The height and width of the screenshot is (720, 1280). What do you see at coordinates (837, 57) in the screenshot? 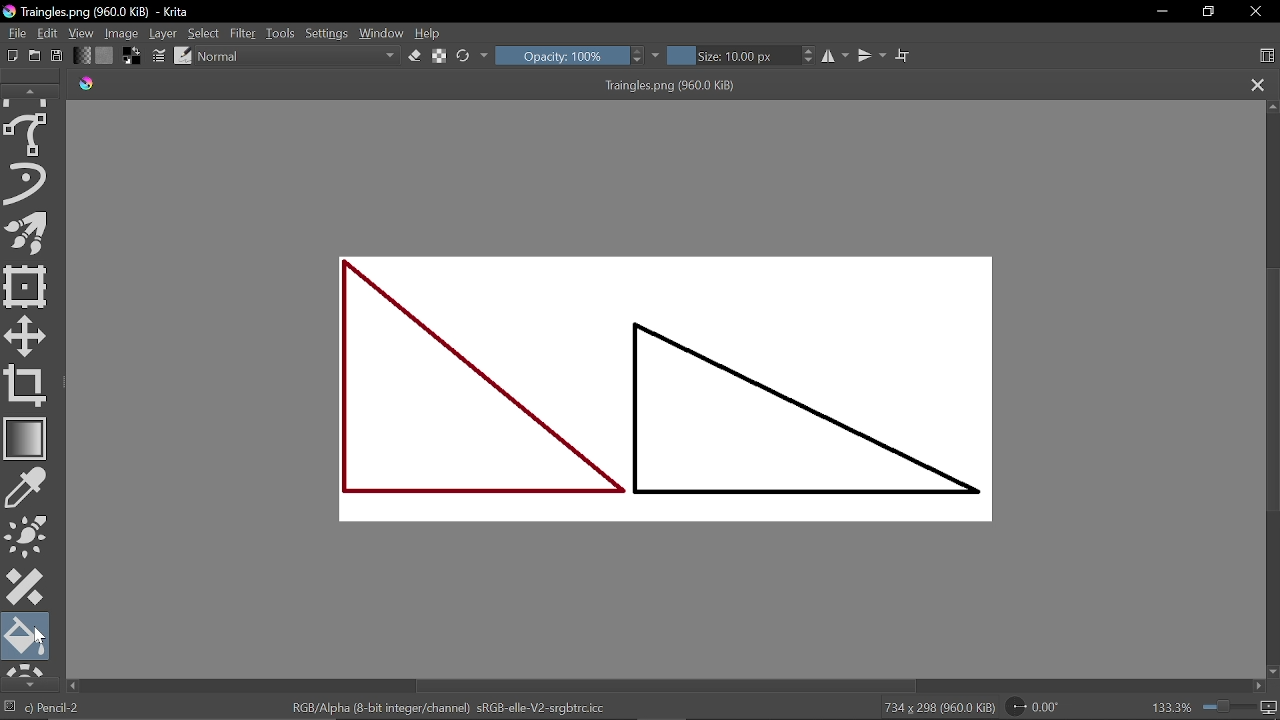
I see `Horizontal mirror tool` at bounding box center [837, 57].